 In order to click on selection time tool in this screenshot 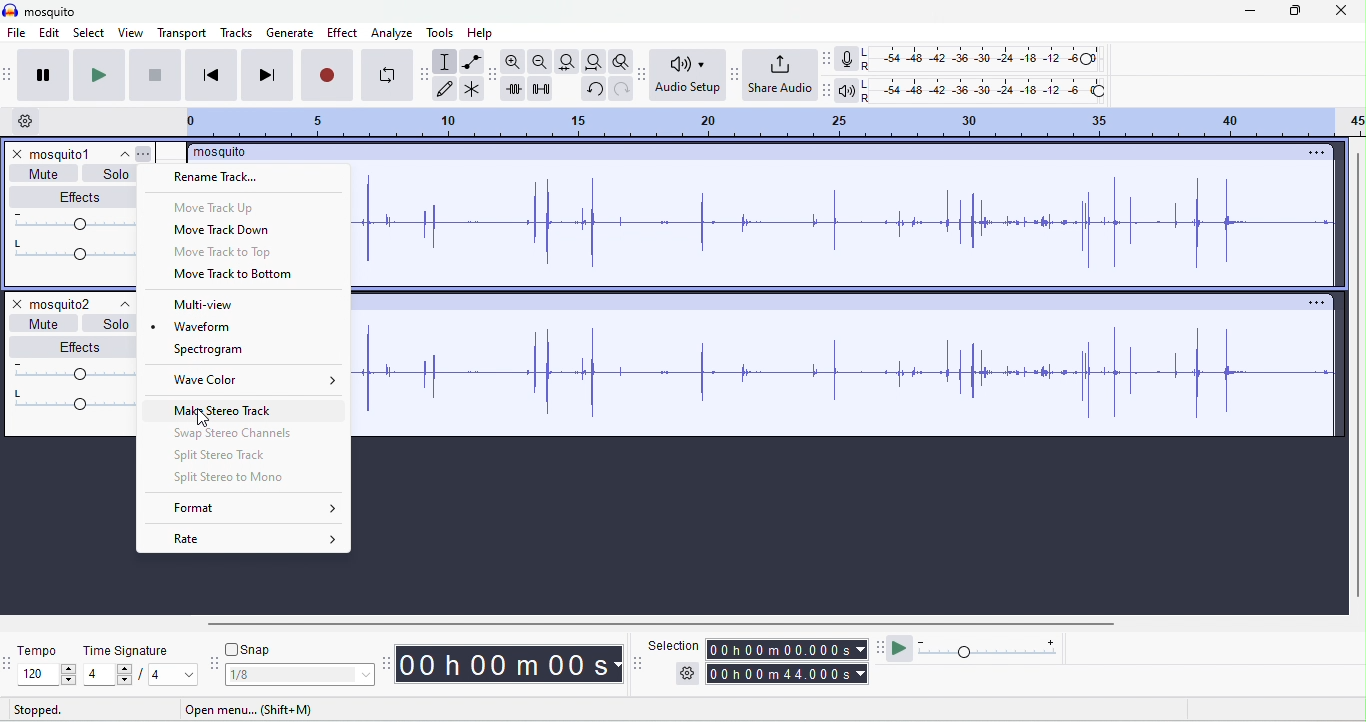, I will do `click(639, 663)`.